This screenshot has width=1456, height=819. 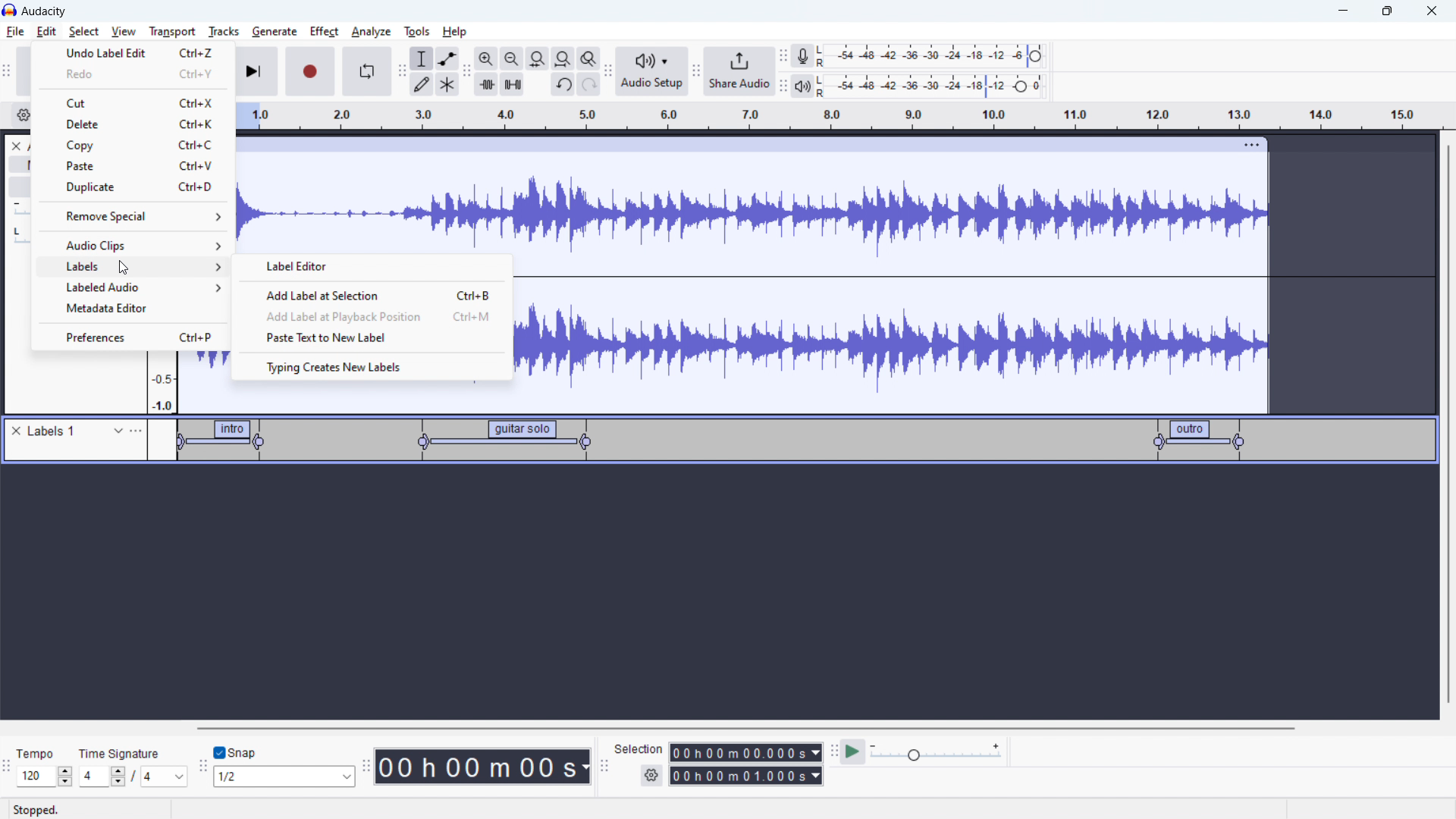 I want to click on undo, so click(x=589, y=84).